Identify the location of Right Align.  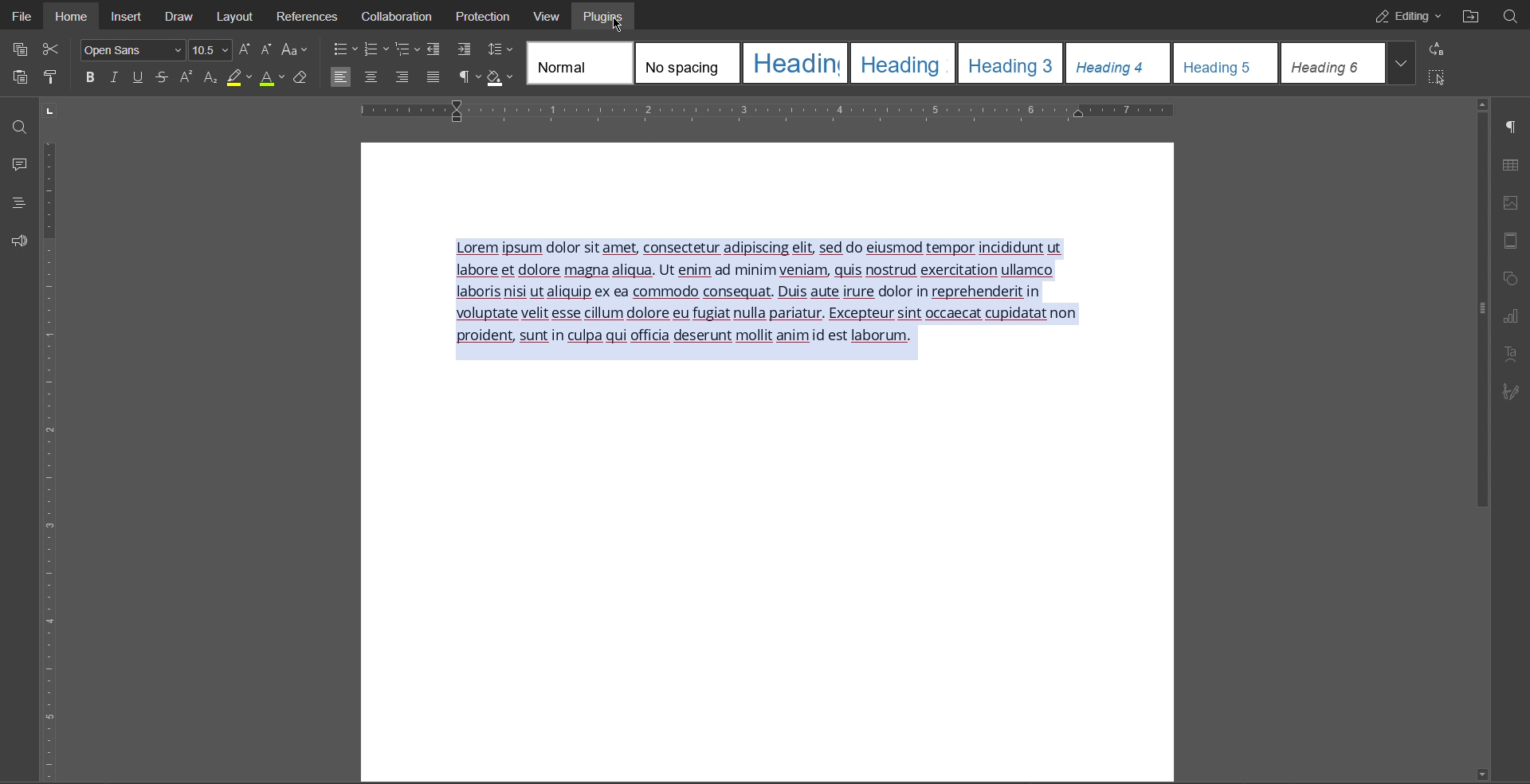
(402, 77).